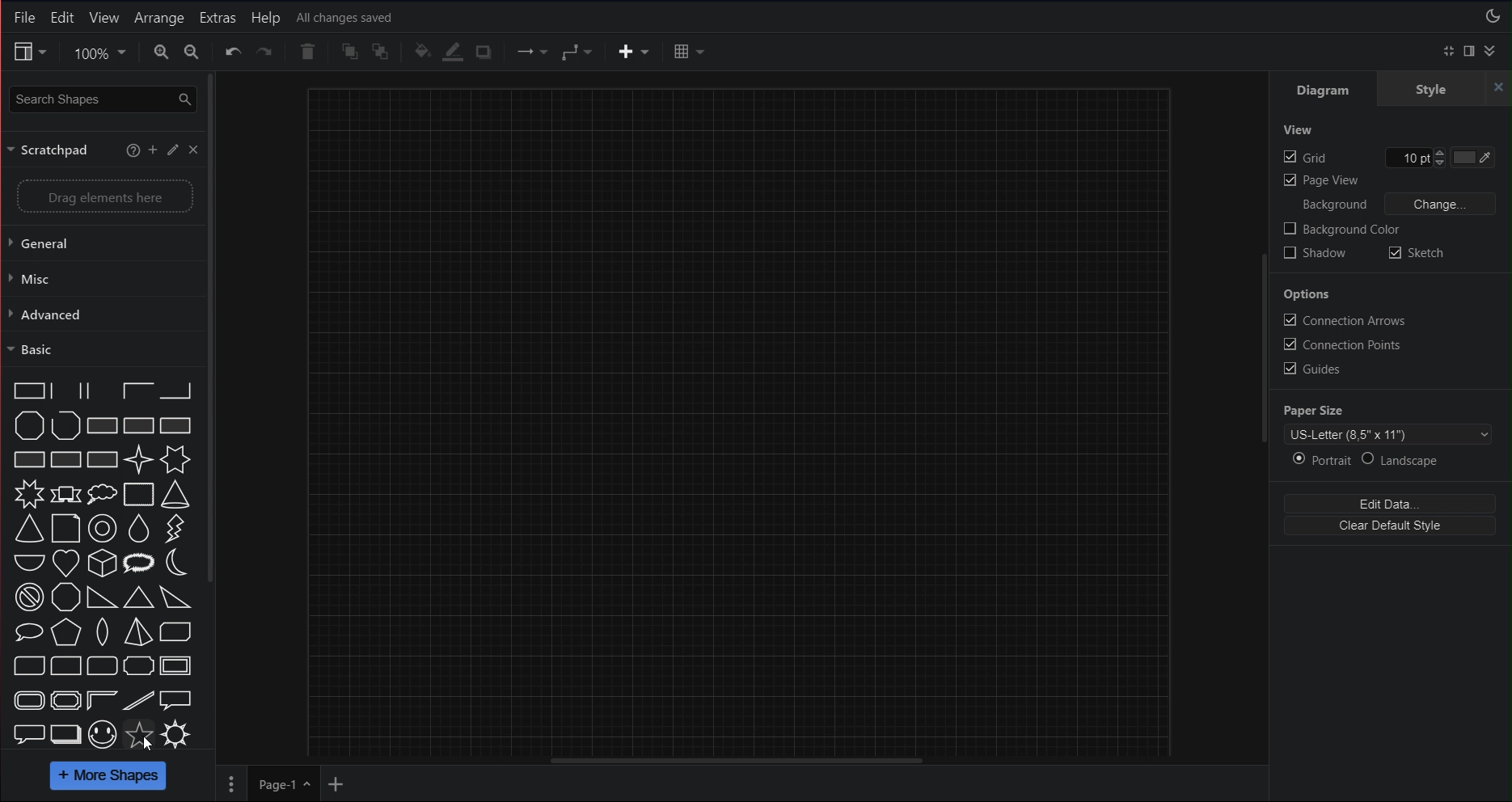 The height and width of the screenshot is (802, 1512). What do you see at coordinates (177, 597) in the screenshot?
I see `obtuse triangle` at bounding box center [177, 597].